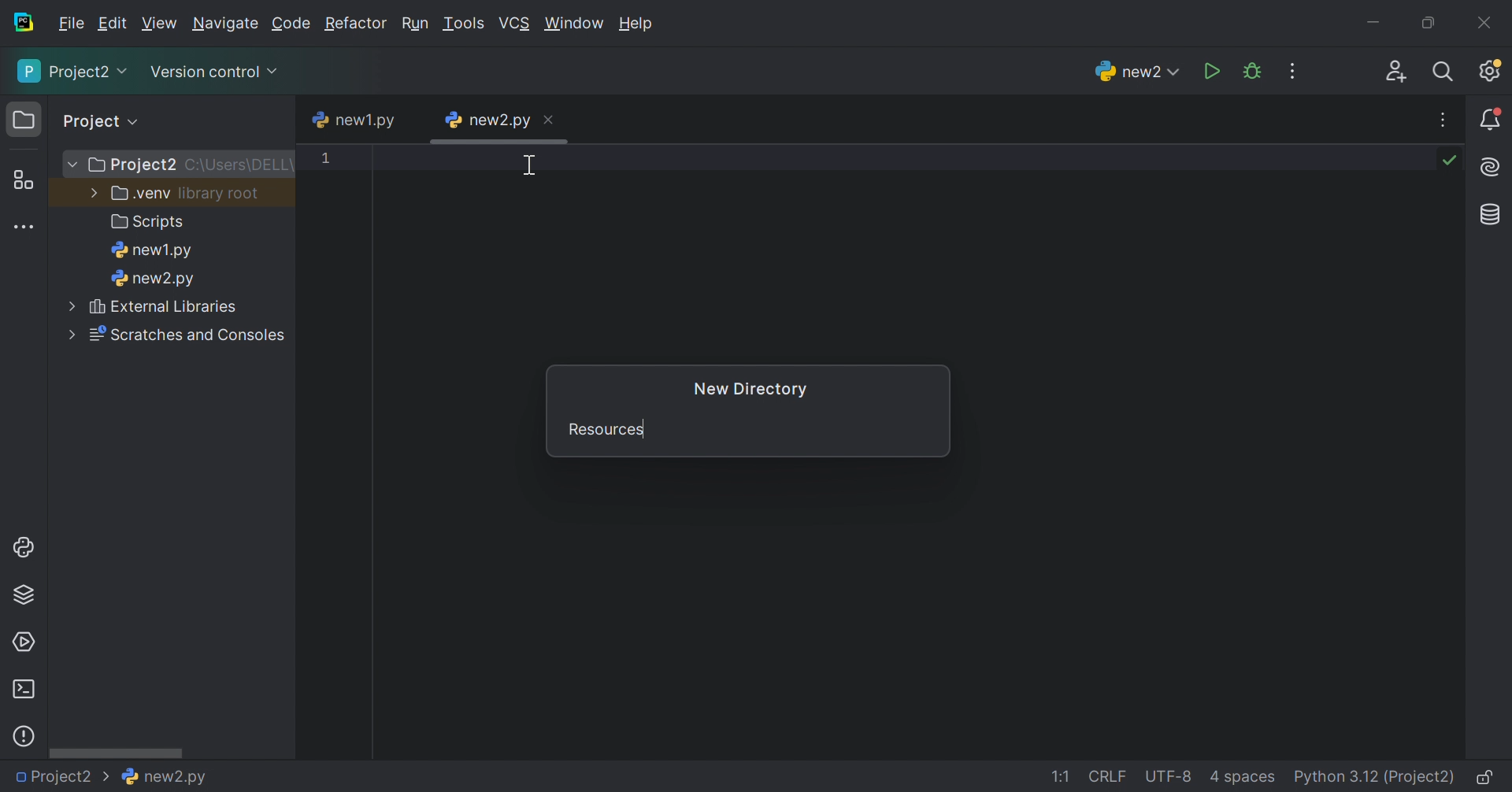  What do you see at coordinates (70, 304) in the screenshot?
I see `More` at bounding box center [70, 304].